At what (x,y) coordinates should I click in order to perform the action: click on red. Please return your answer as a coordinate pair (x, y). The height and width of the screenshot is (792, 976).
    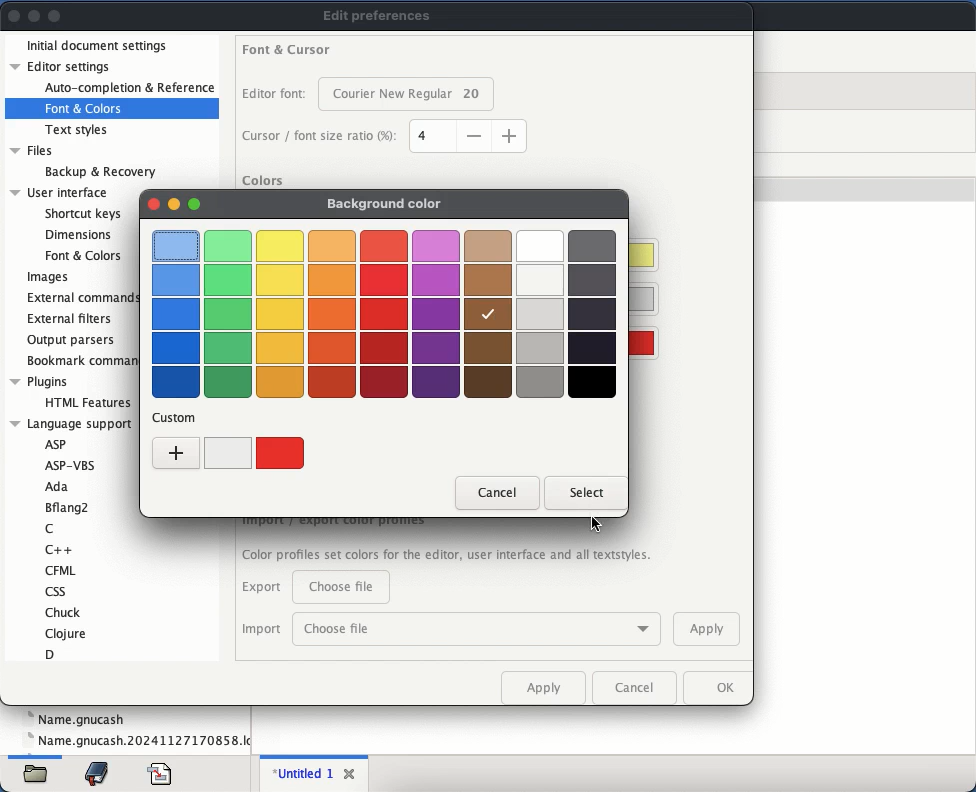
    Looking at the image, I should click on (281, 450).